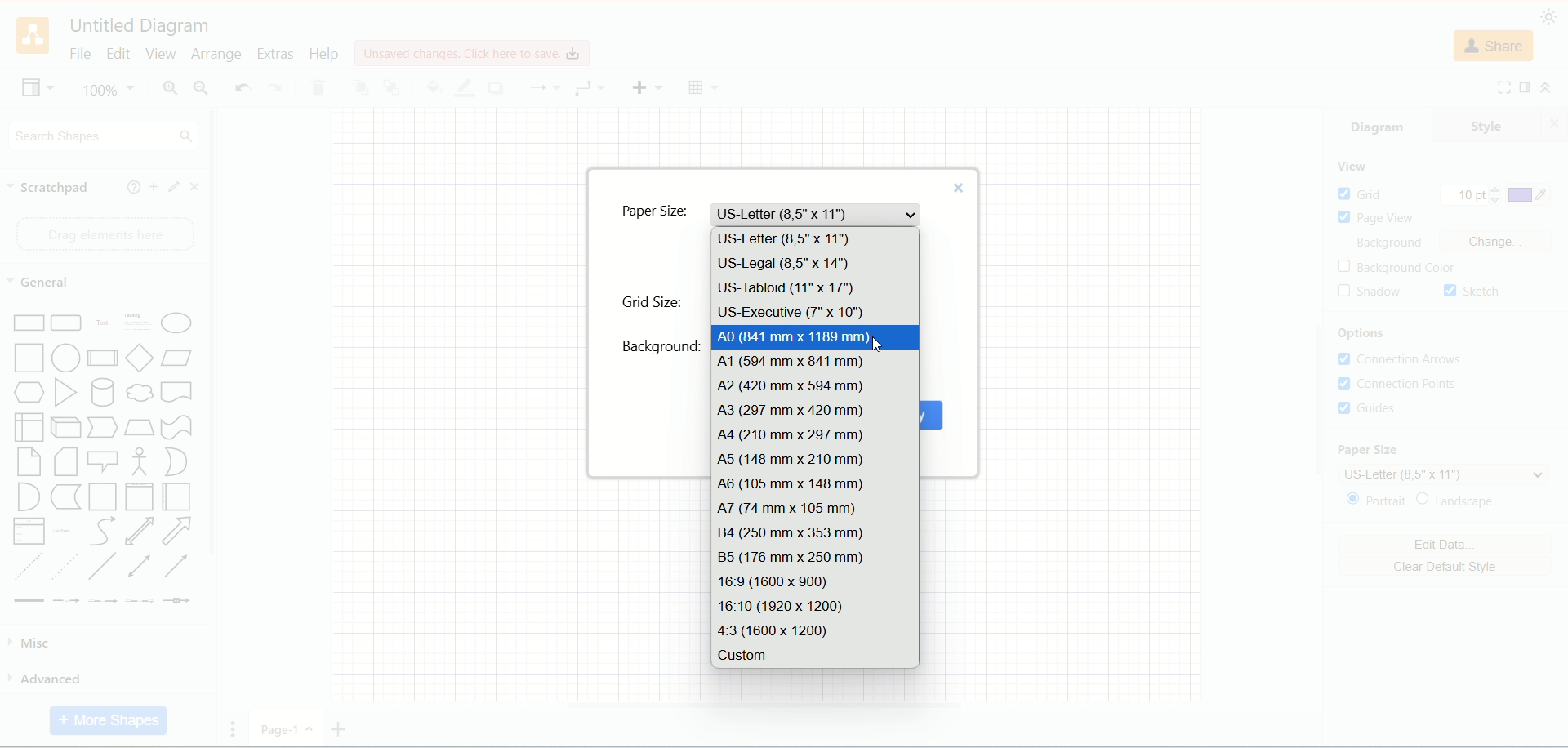  What do you see at coordinates (813, 655) in the screenshot?
I see `Custom` at bounding box center [813, 655].